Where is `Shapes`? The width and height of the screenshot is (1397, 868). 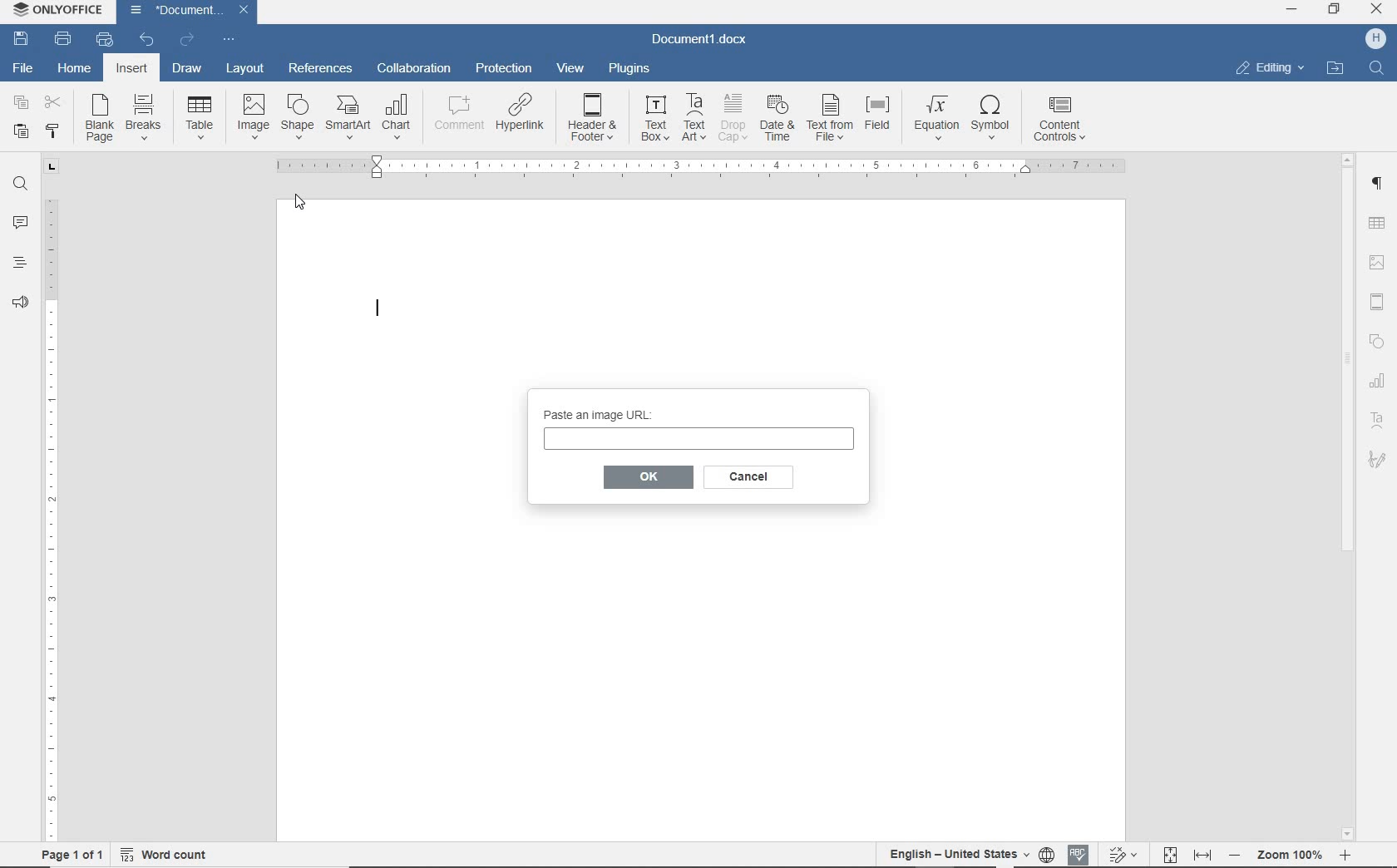
Shapes is located at coordinates (1380, 337).